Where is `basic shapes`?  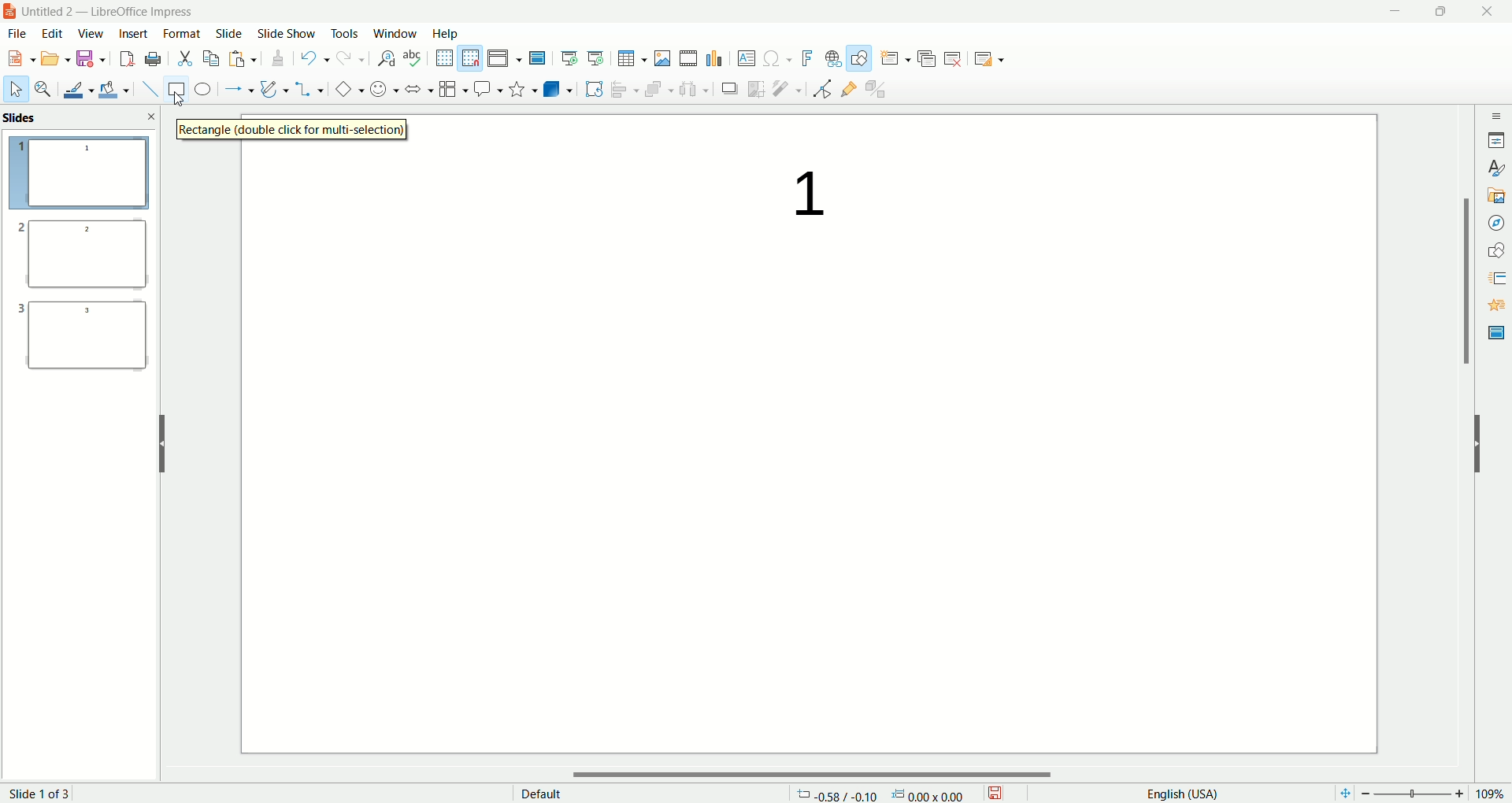
basic shapes is located at coordinates (346, 90).